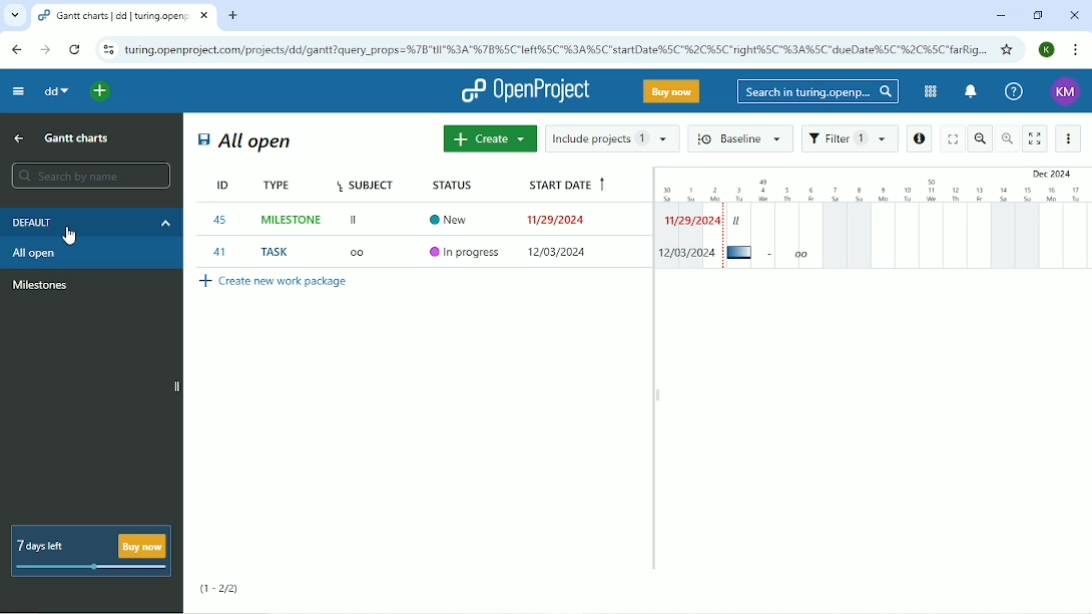  Describe the element at coordinates (369, 218) in the screenshot. I see `Subject` at that location.